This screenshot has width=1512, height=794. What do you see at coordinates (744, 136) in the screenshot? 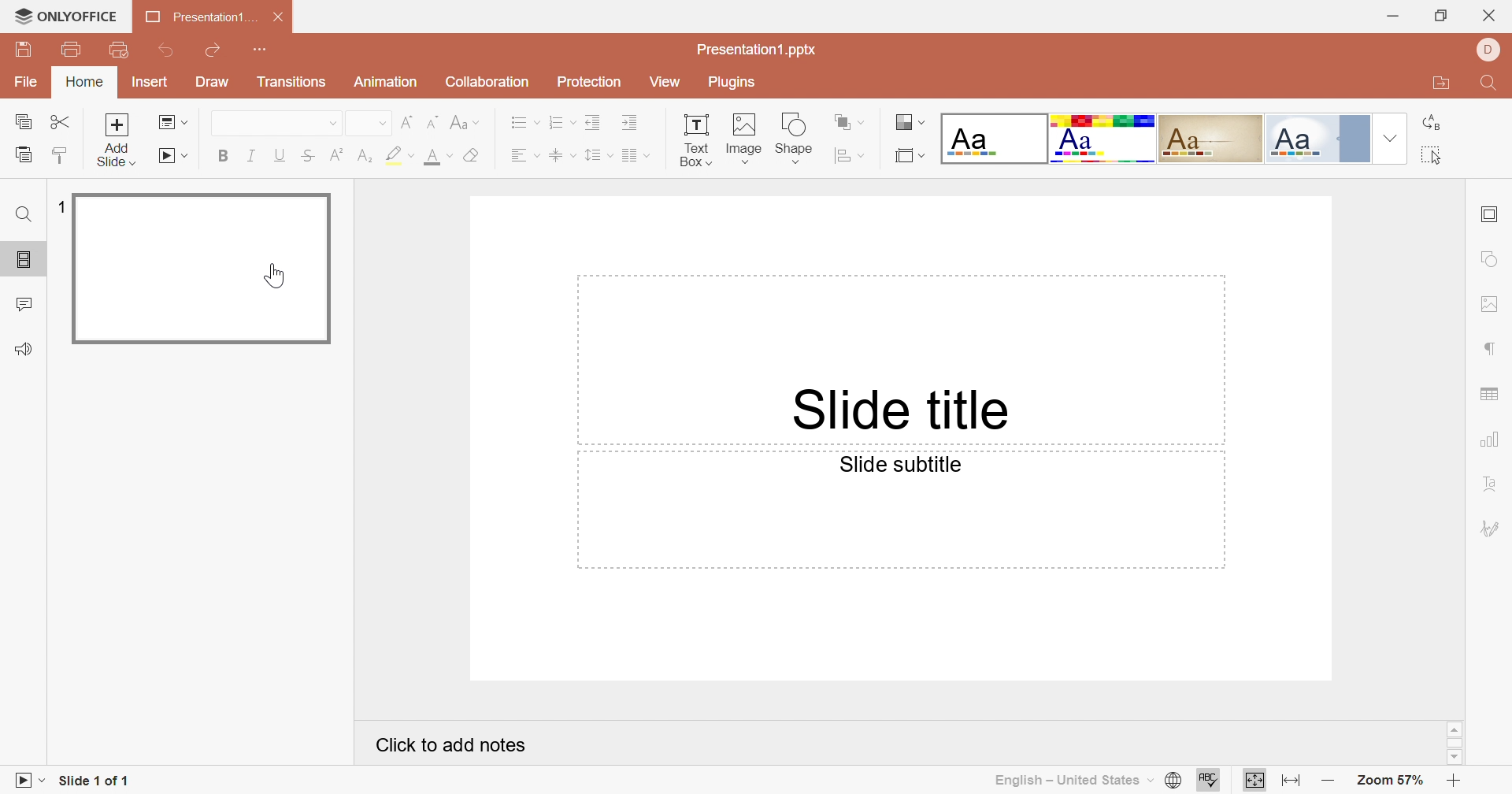
I see `Image` at bounding box center [744, 136].